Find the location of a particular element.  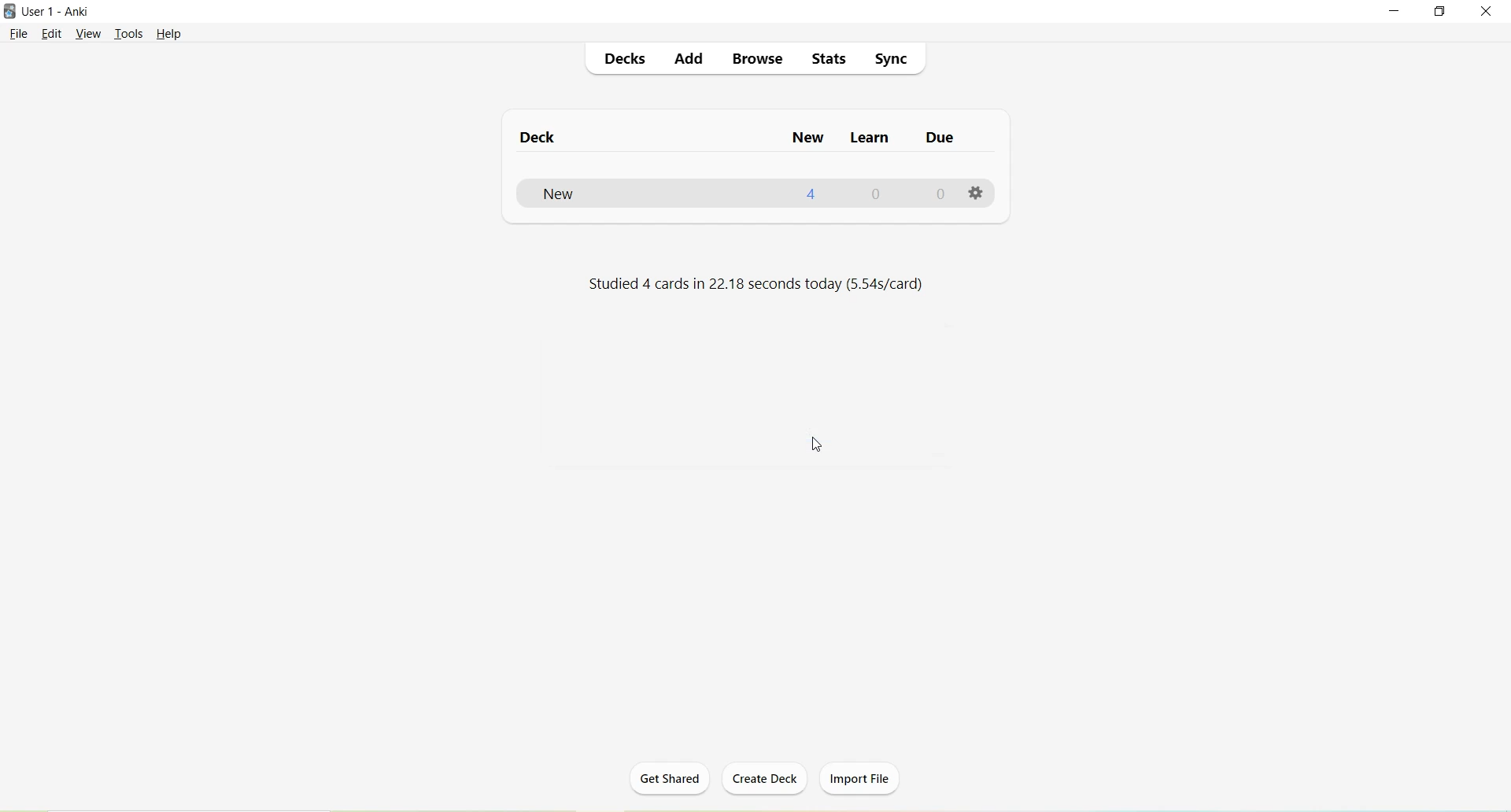

Help is located at coordinates (168, 34).